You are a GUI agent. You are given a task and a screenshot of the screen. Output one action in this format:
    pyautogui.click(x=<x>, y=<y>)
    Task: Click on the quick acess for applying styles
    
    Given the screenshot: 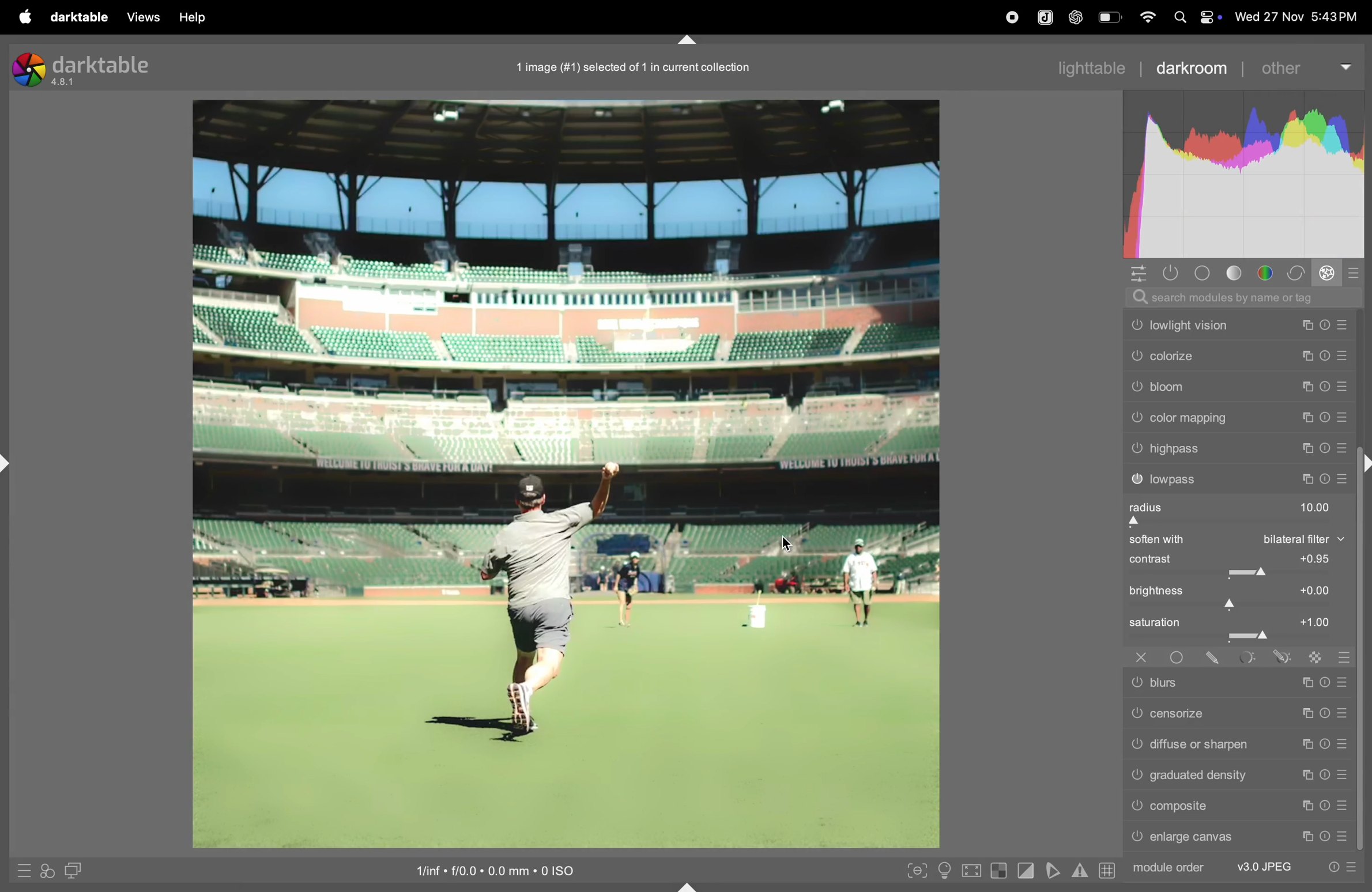 What is the action you would take?
    pyautogui.click(x=47, y=870)
    